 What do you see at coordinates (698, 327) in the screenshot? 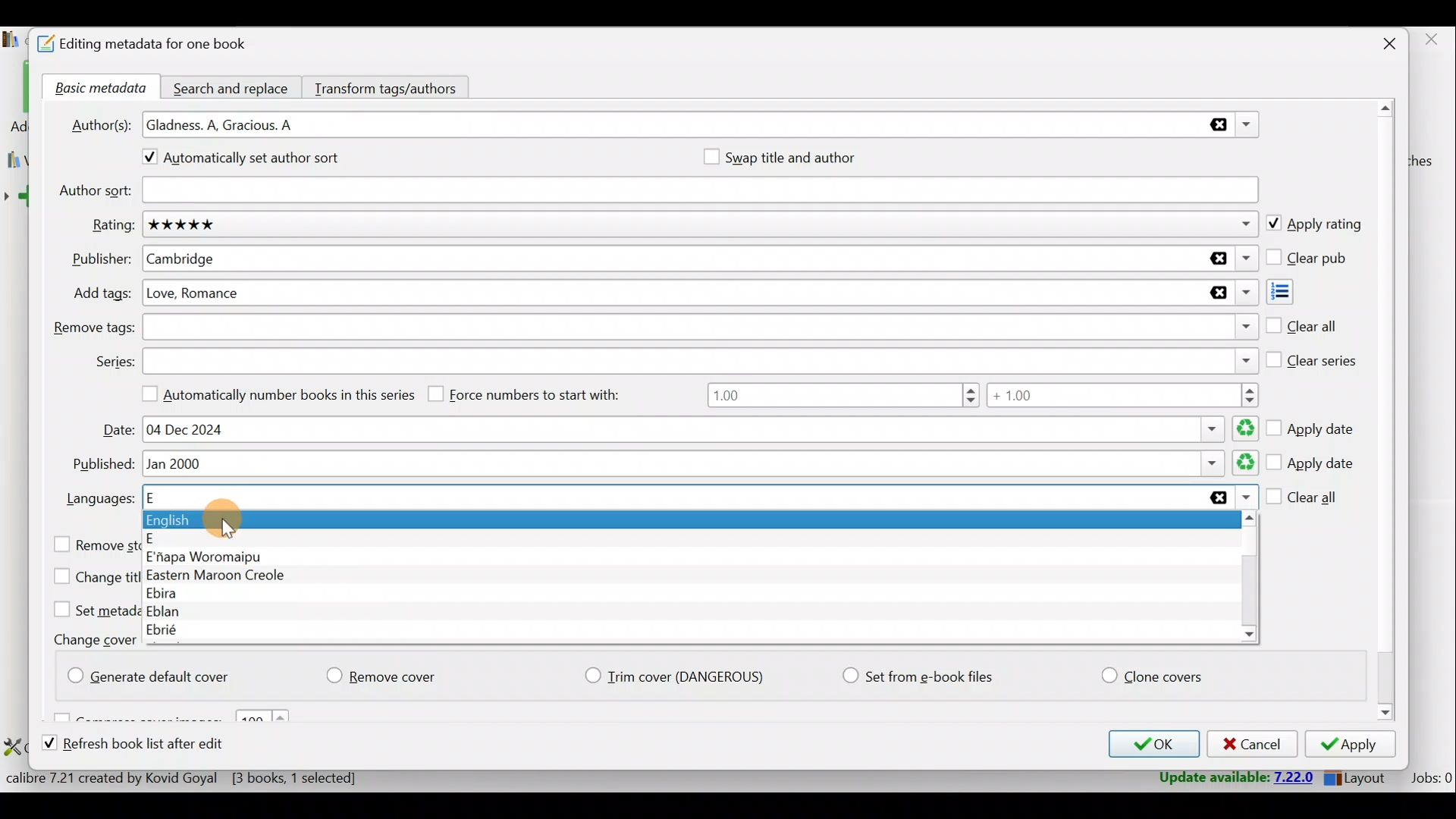
I see `Remove tags` at bounding box center [698, 327].